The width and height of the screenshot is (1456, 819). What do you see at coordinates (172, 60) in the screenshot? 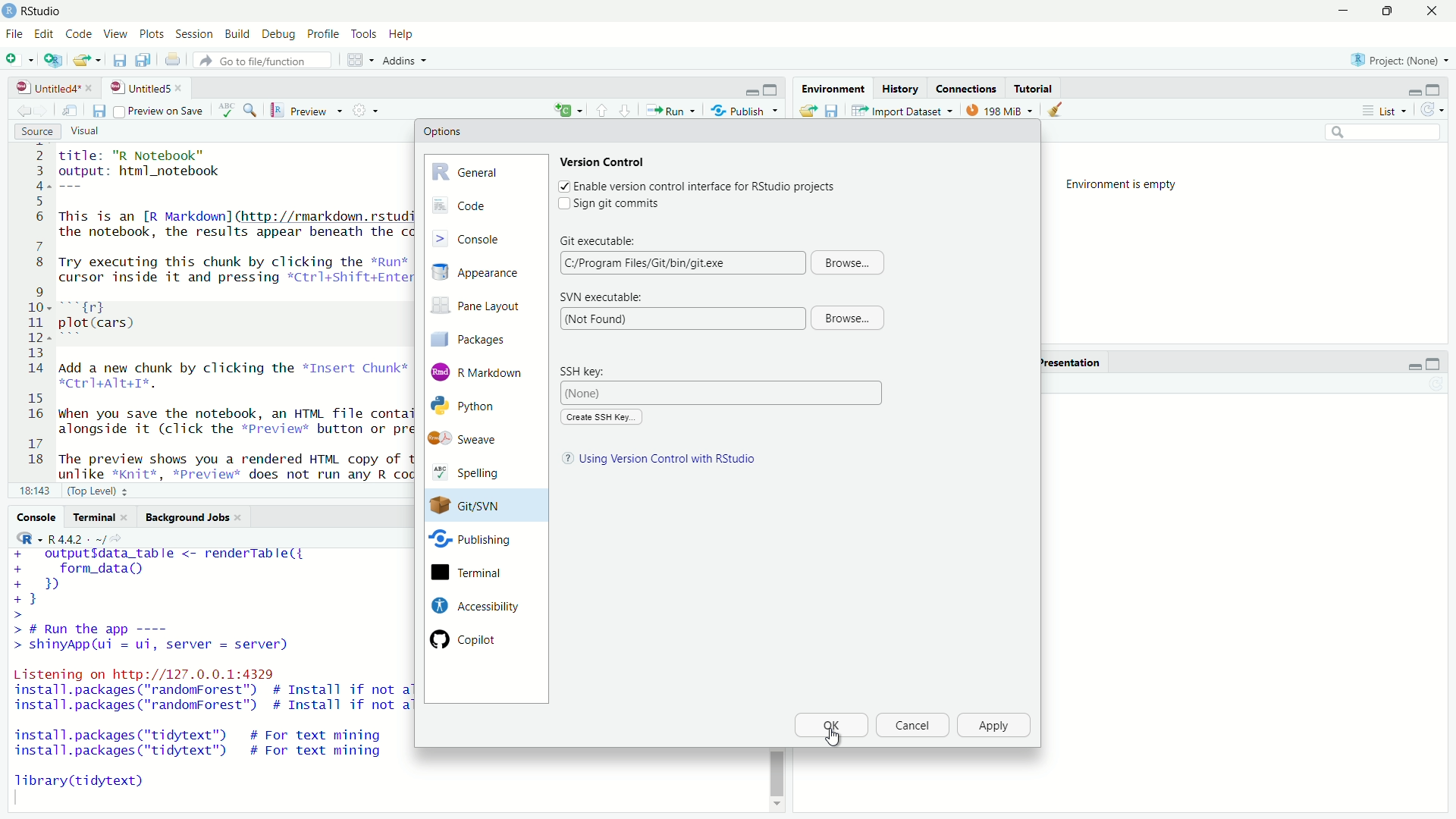
I see `print the current file` at bounding box center [172, 60].